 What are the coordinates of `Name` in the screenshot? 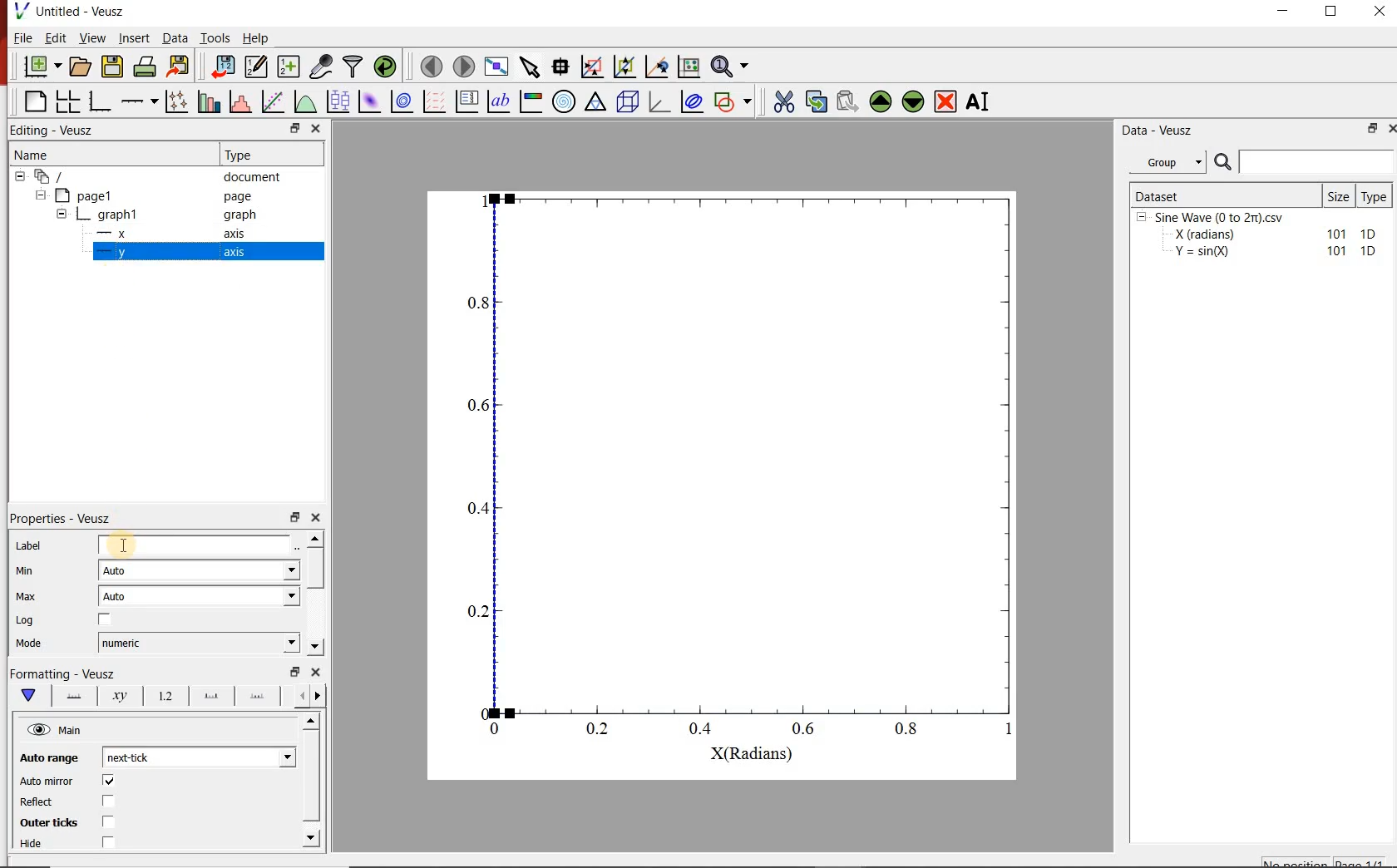 It's located at (30, 153).